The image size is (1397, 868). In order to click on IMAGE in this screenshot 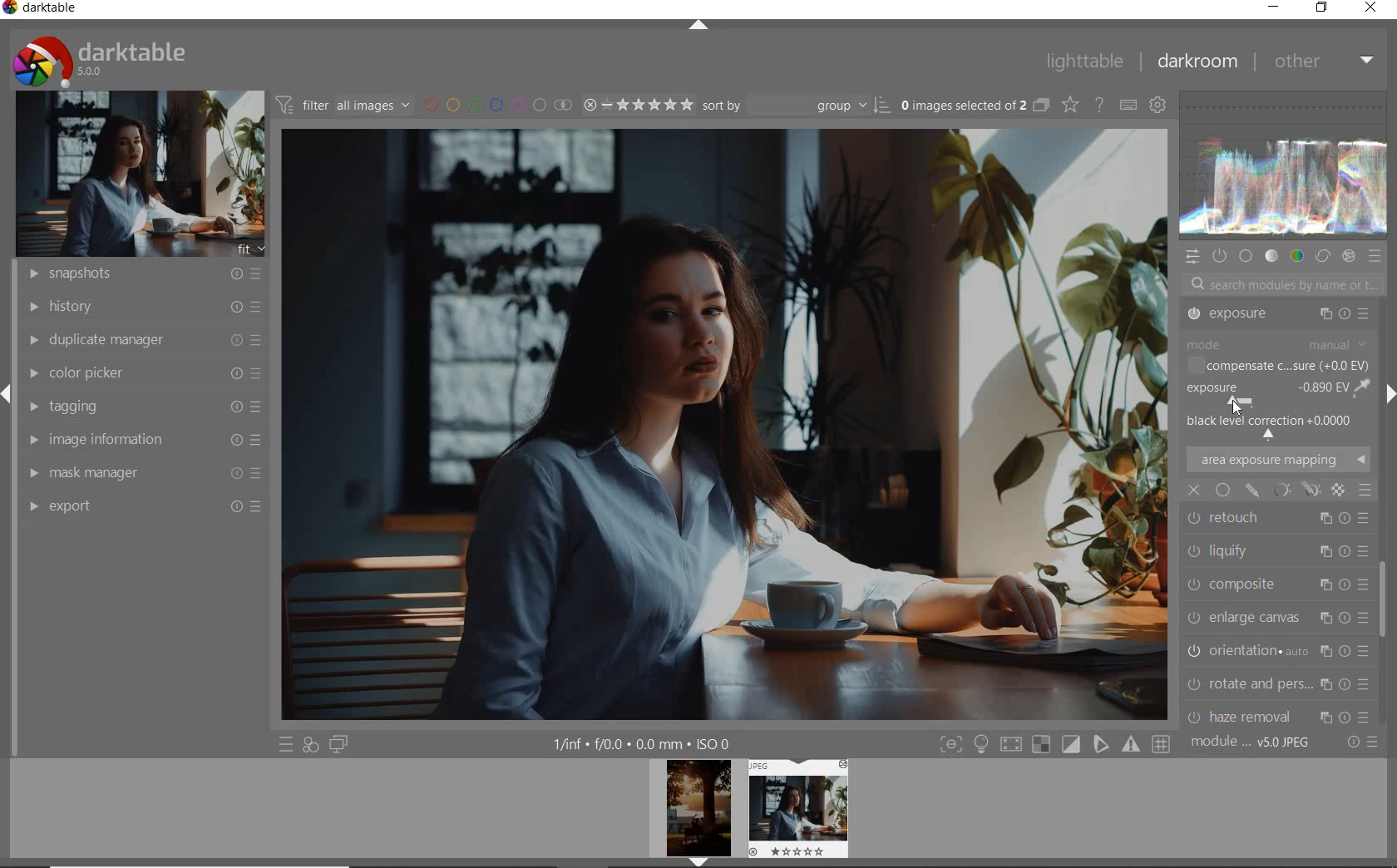, I will do `click(136, 173)`.